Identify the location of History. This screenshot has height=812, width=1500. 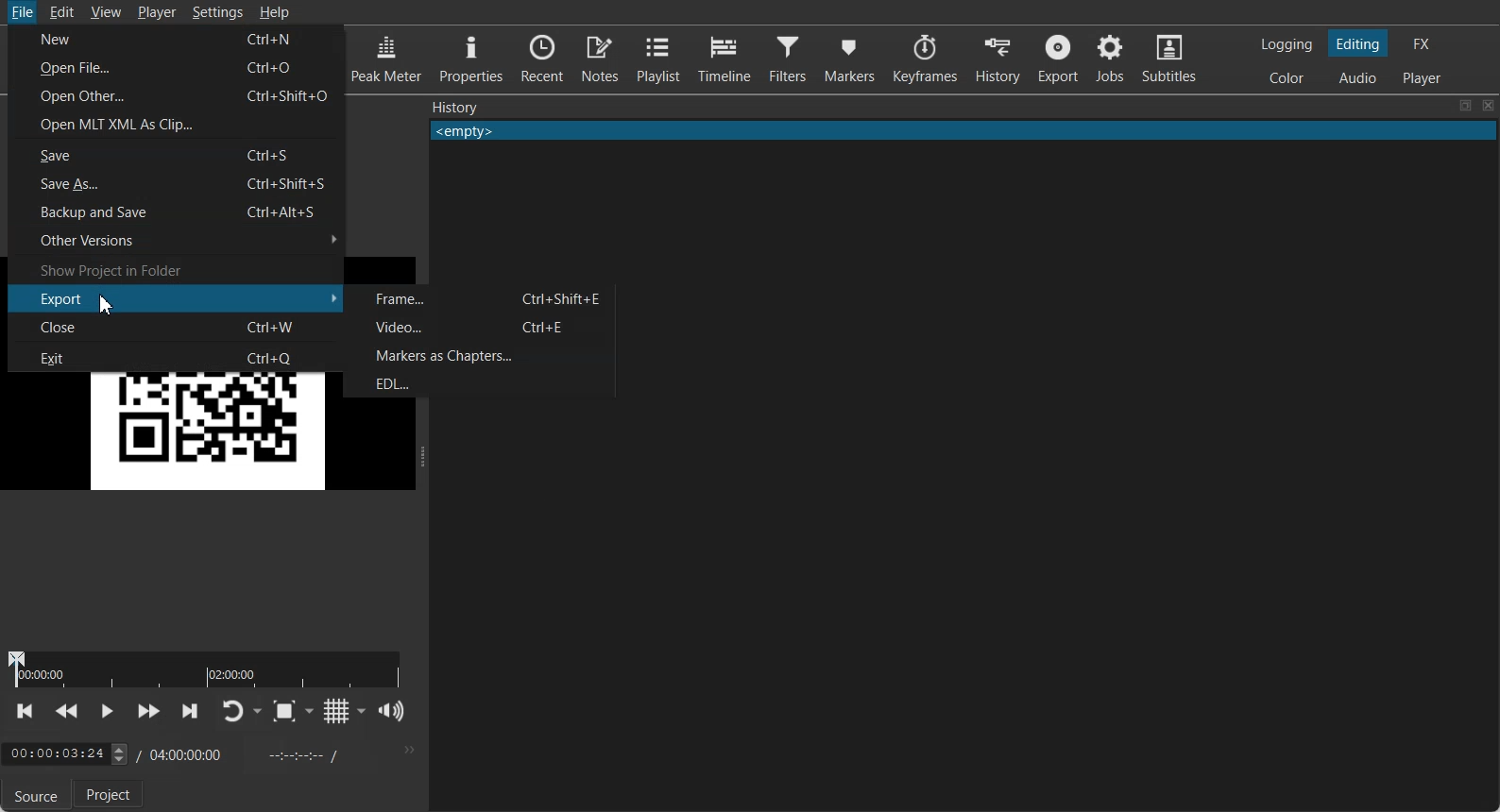
(997, 59).